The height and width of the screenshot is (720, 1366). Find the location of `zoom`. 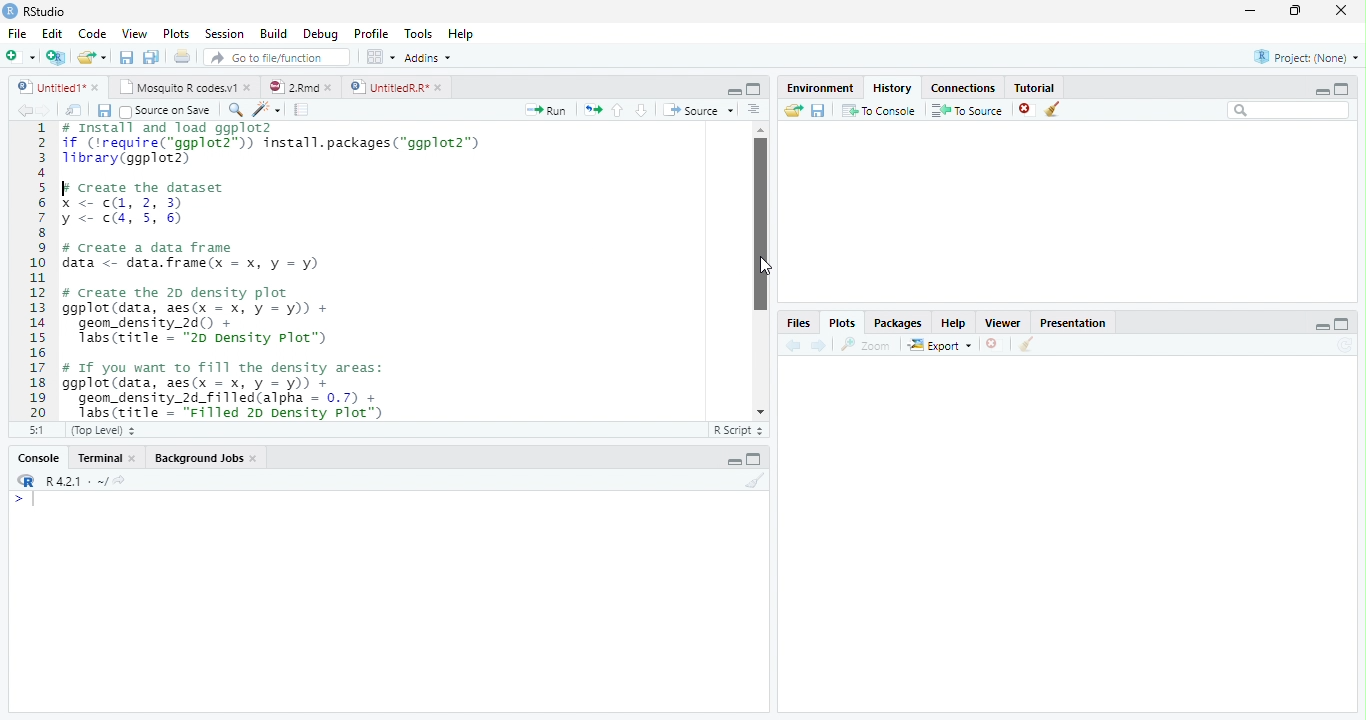

zoom is located at coordinates (869, 346).